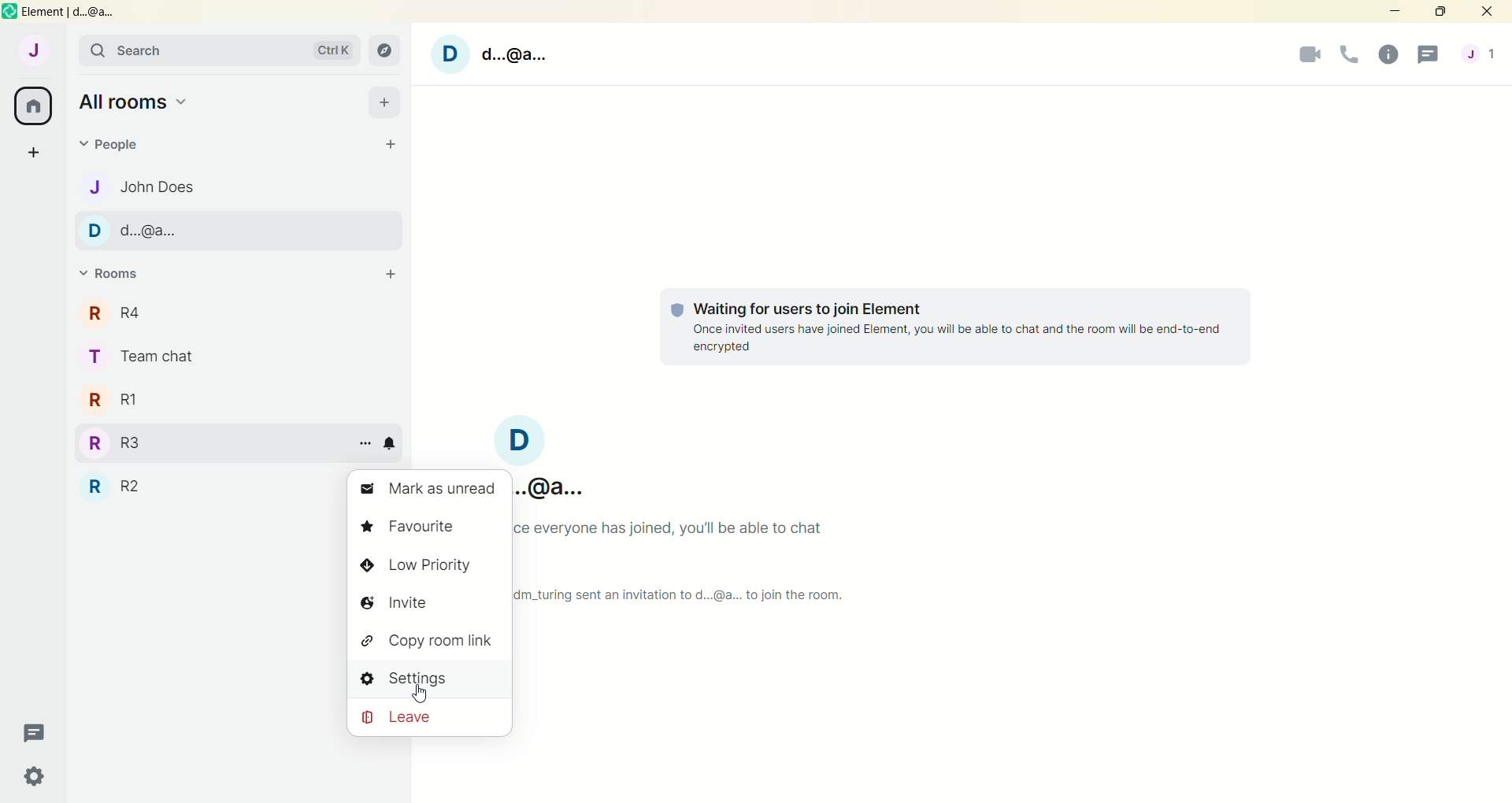 The height and width of the screenshot is (803, 1512). What do you see at coordinates (681, 529) in the screenshot?
I see `Once everyone has joined, you will be able to chat` at bounding box center [681, 529].